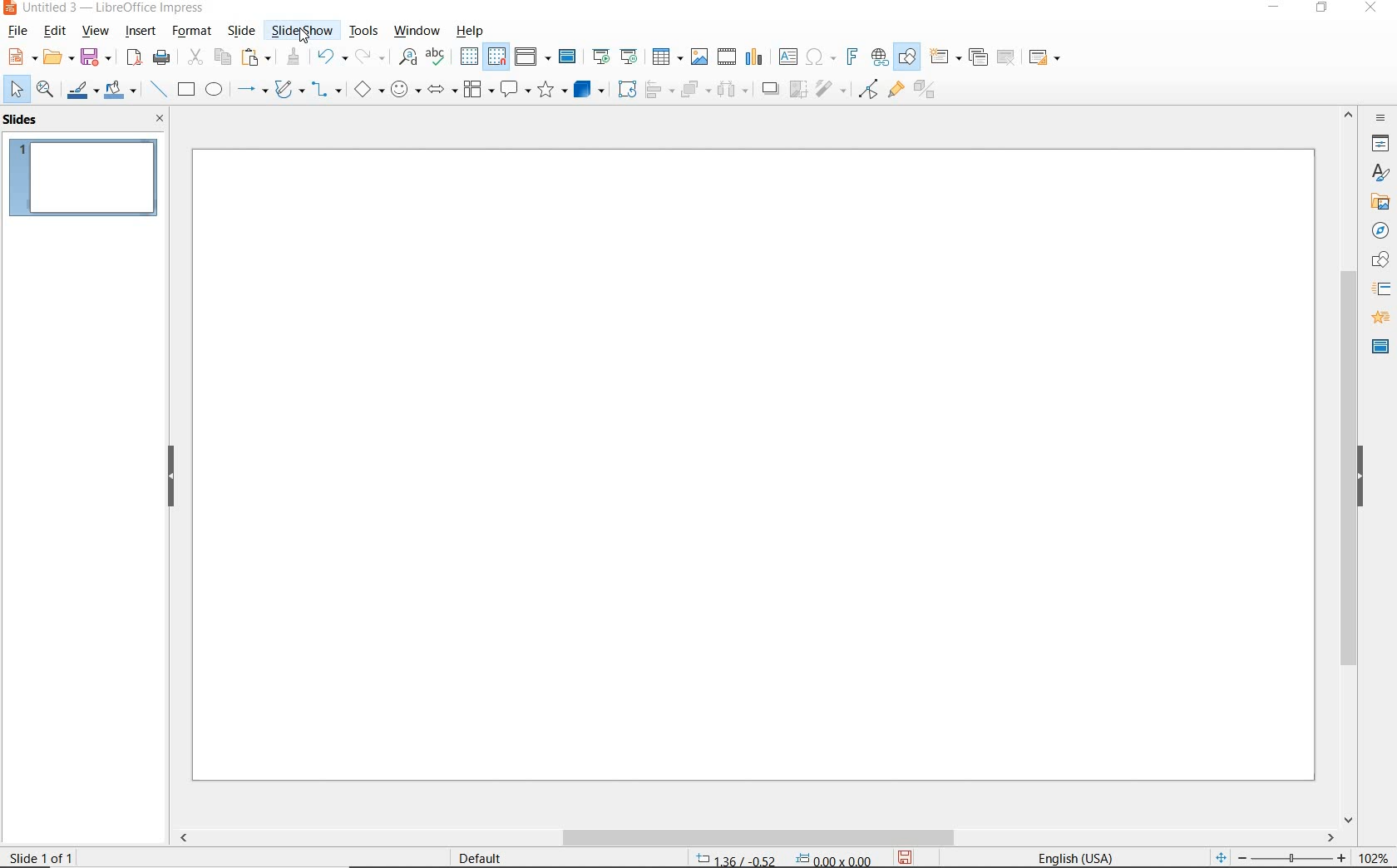 The height and width of the screenshot is (868, 1397). I want to click on LINE COLOR, so click(80, 91).